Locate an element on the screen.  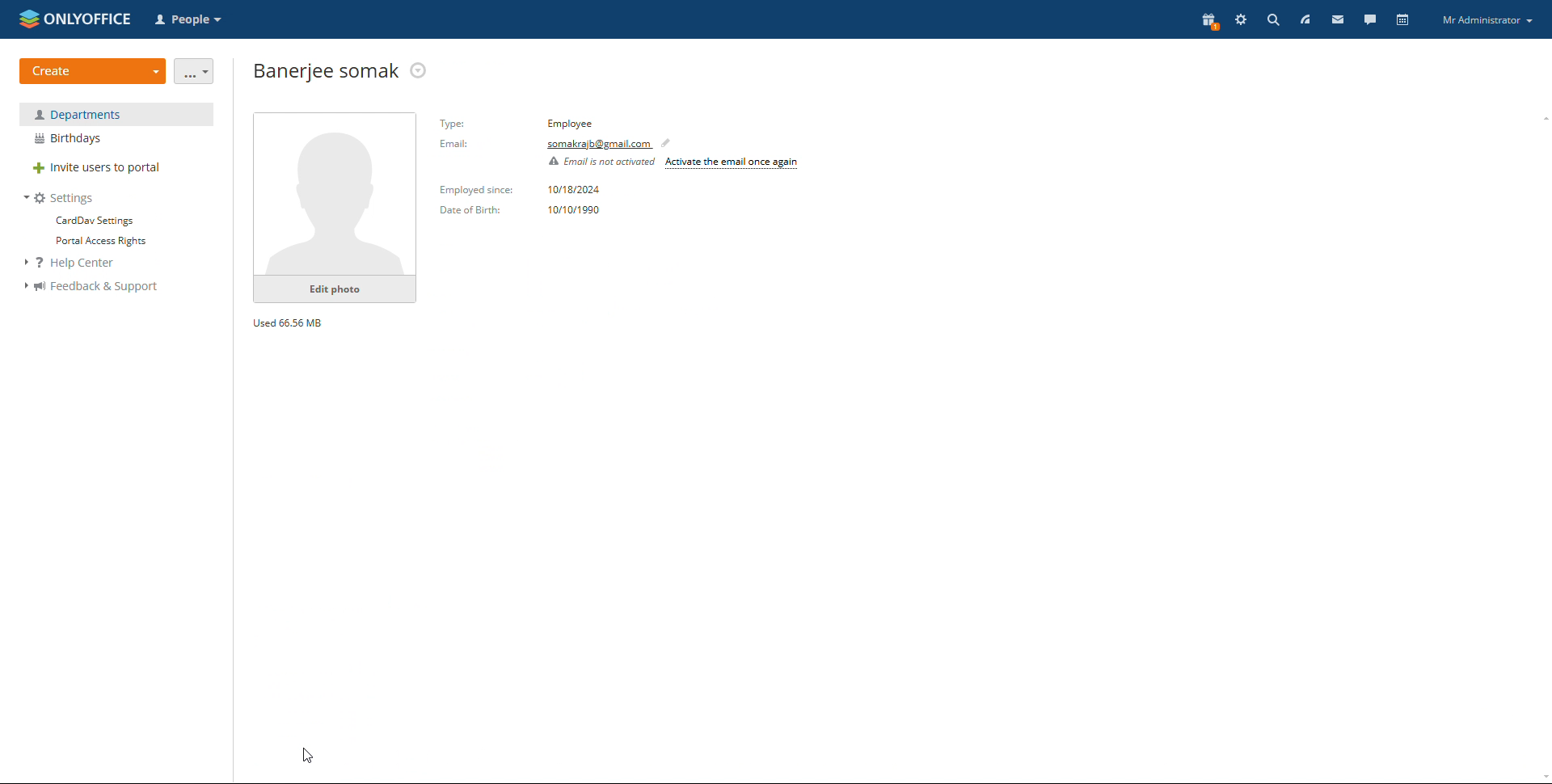
logo is located at coordinates (75, 18).